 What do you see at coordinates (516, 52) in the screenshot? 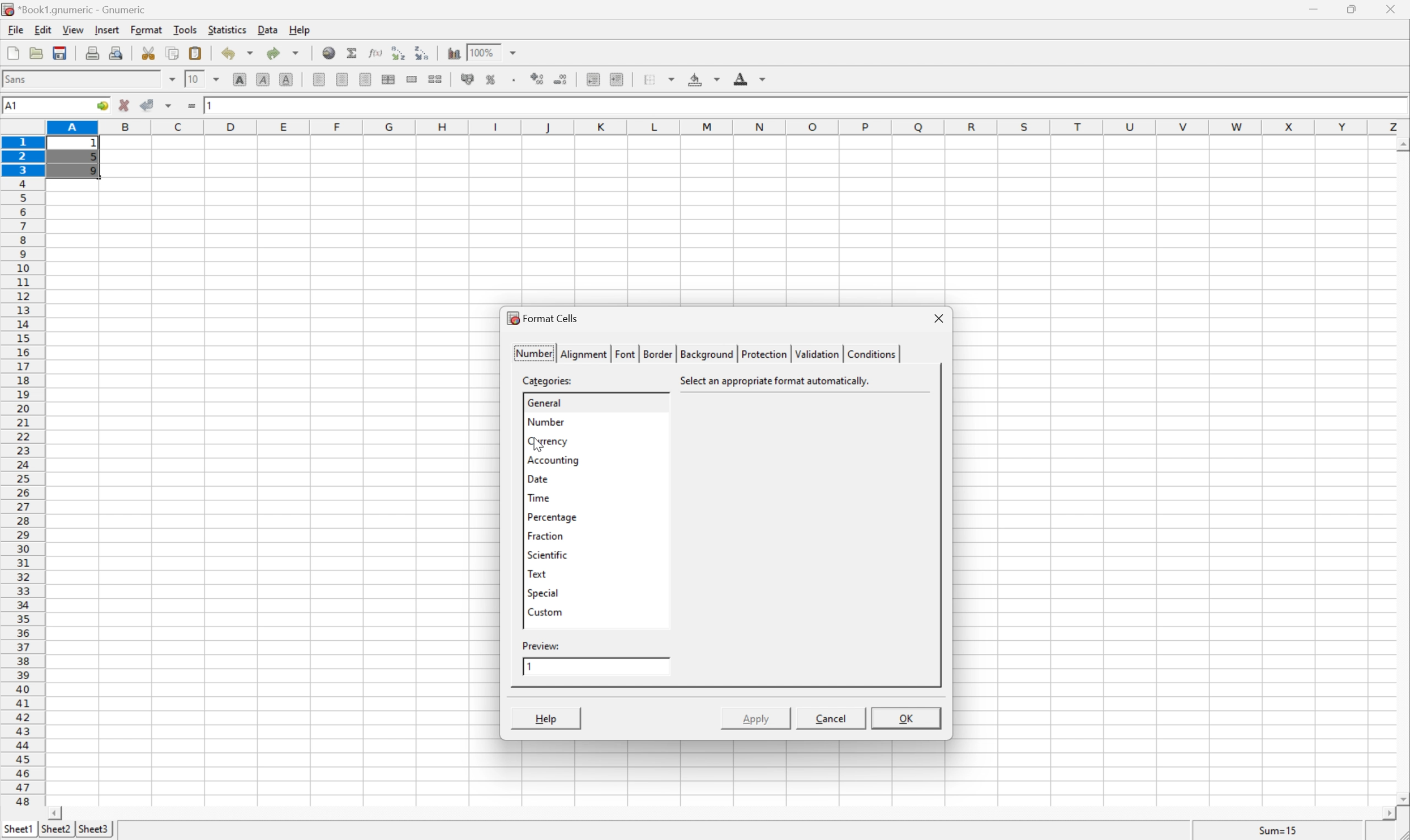
I see `drop down` at bounding box center [516, 52].